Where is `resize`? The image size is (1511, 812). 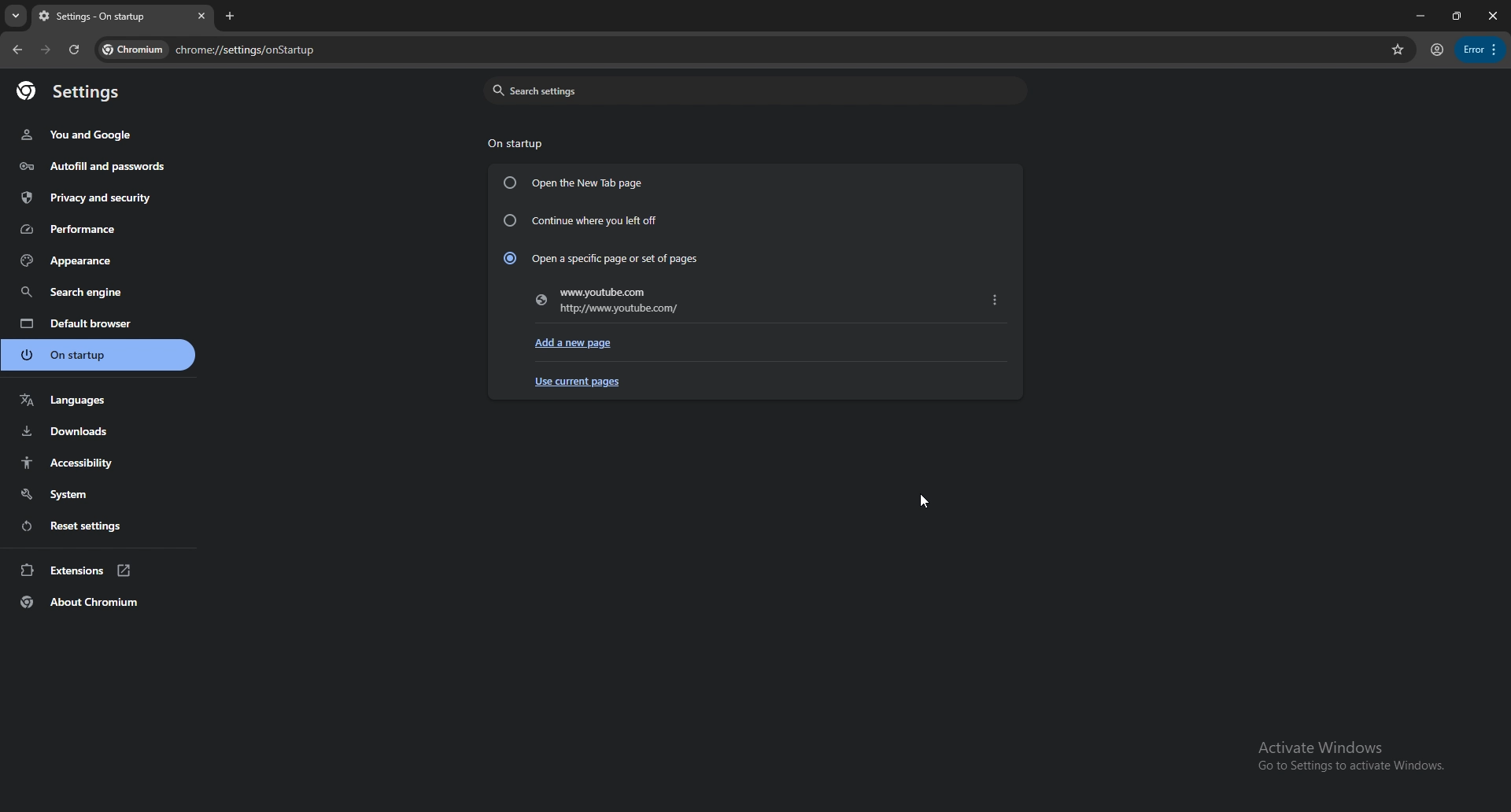
resize is located at coordinates (1454, 16).